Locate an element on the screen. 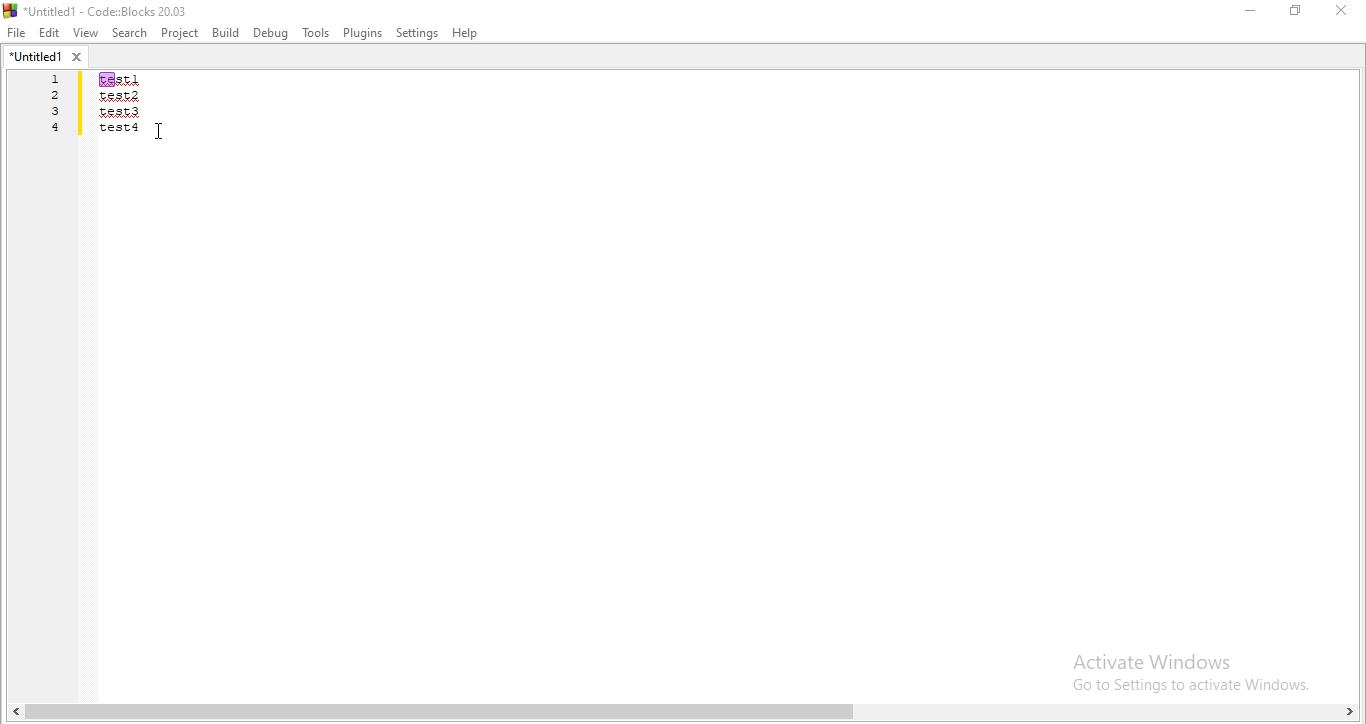 The width and height of the screenshot is (1366, 724). Test 1, test 2, test 3, test 4 is located at coordinates (146, 119).